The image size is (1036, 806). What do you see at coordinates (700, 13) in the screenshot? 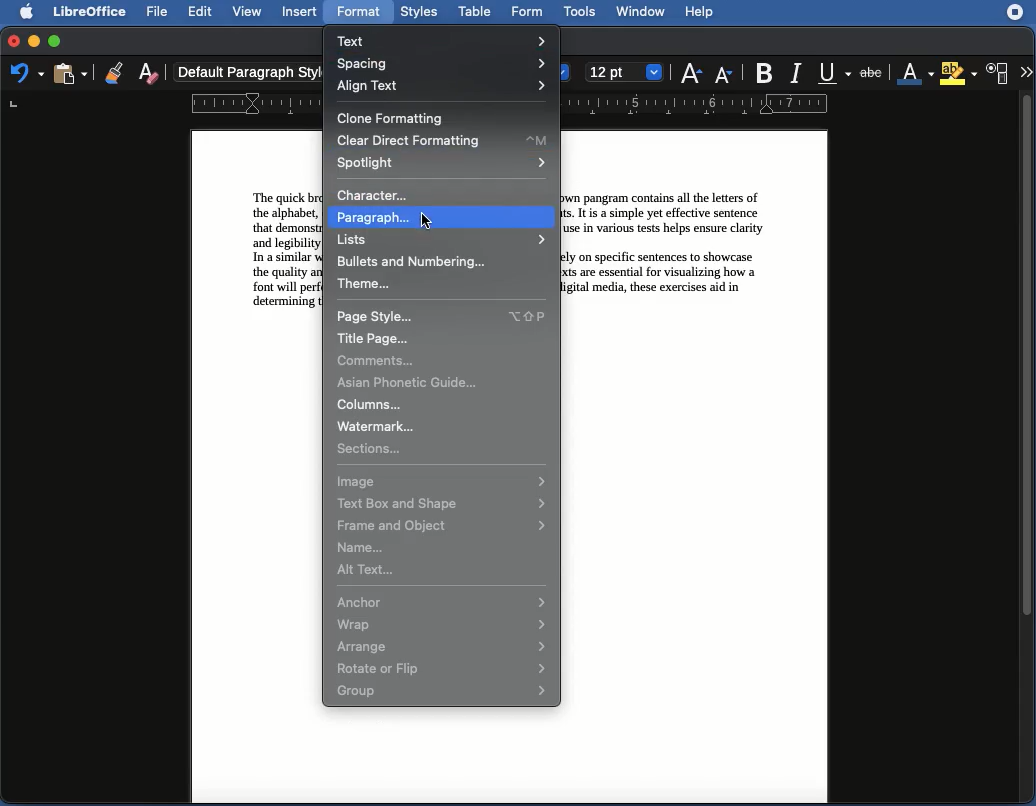
I see `Help` at bounding box center [700, 13].